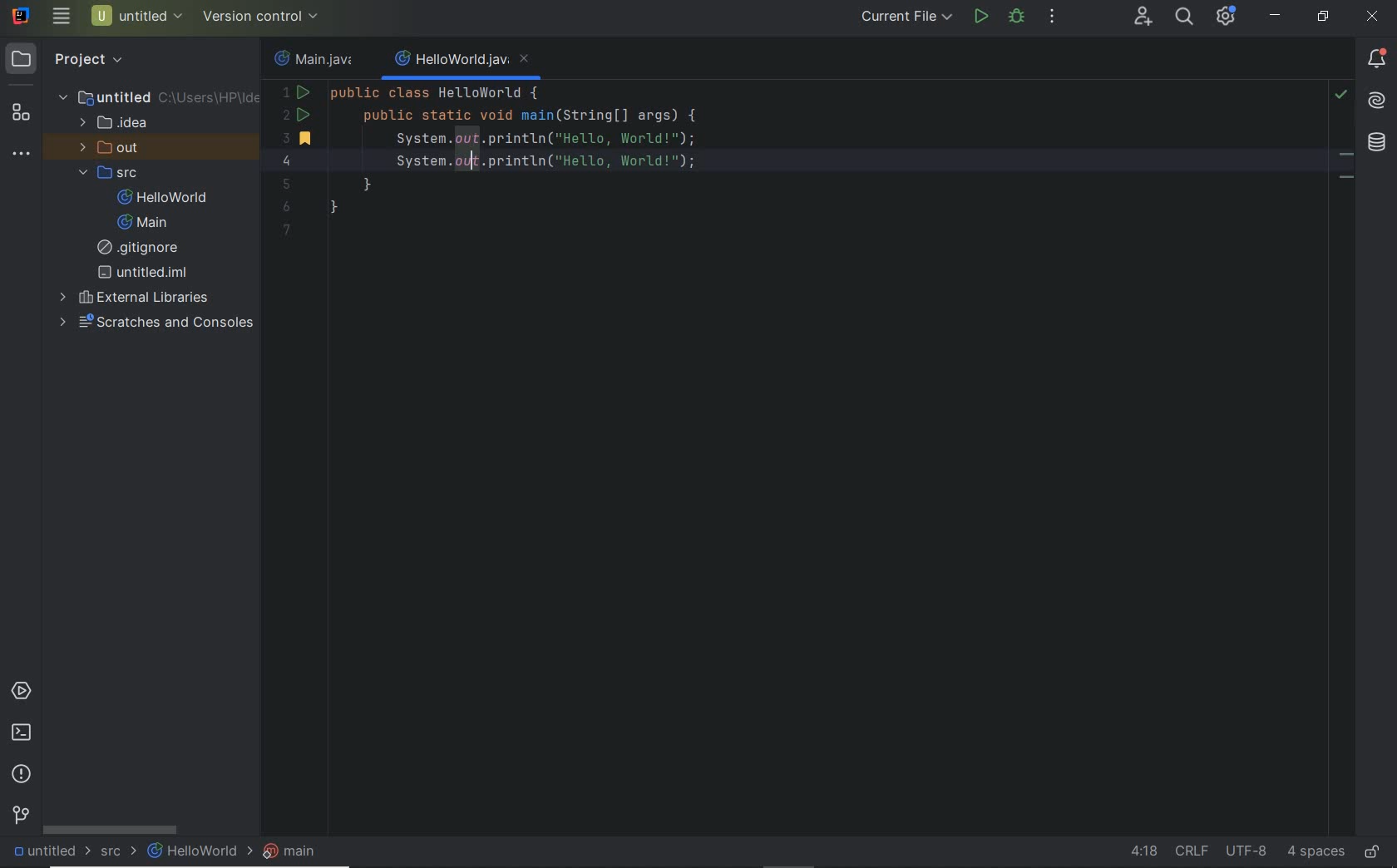 This screenshot has width=1397, height=868. What do you see at coordinates (1182, 18) in the screenshot?
I see `search` at bounding box center [1182, 18].